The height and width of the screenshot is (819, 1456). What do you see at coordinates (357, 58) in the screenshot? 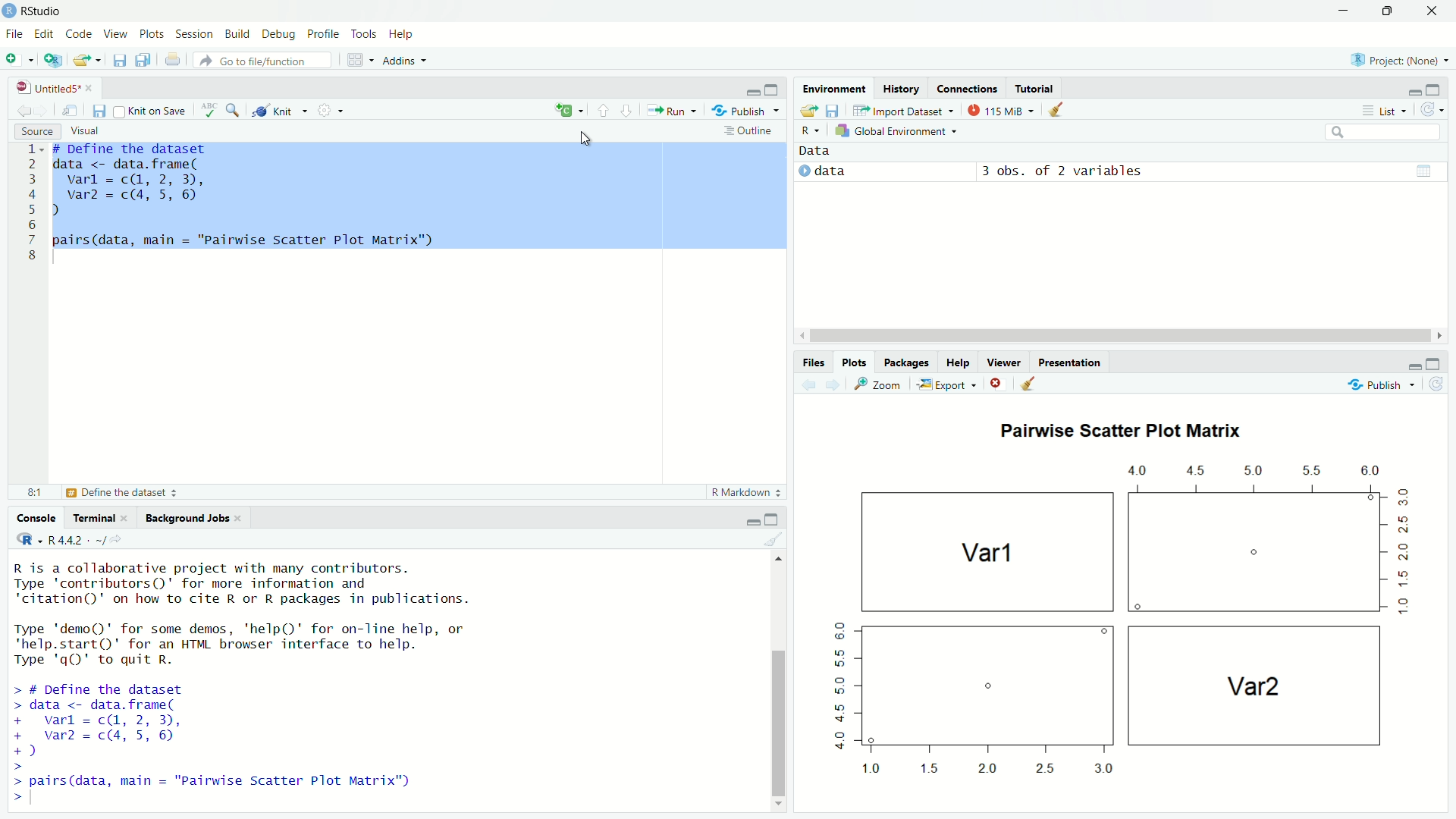
I see `Workspace panes` at bounding box center [357, 58].